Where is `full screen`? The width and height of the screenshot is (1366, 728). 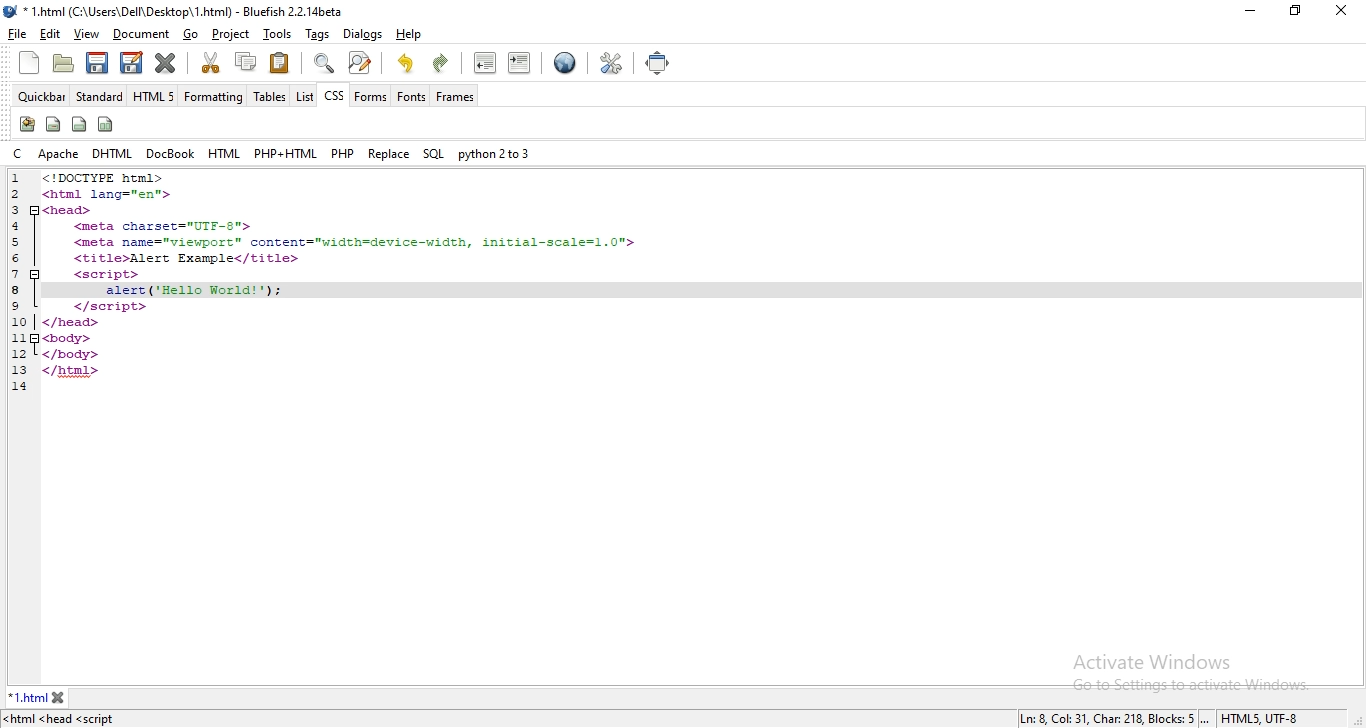
full screen is located at coordinates (663, 64).